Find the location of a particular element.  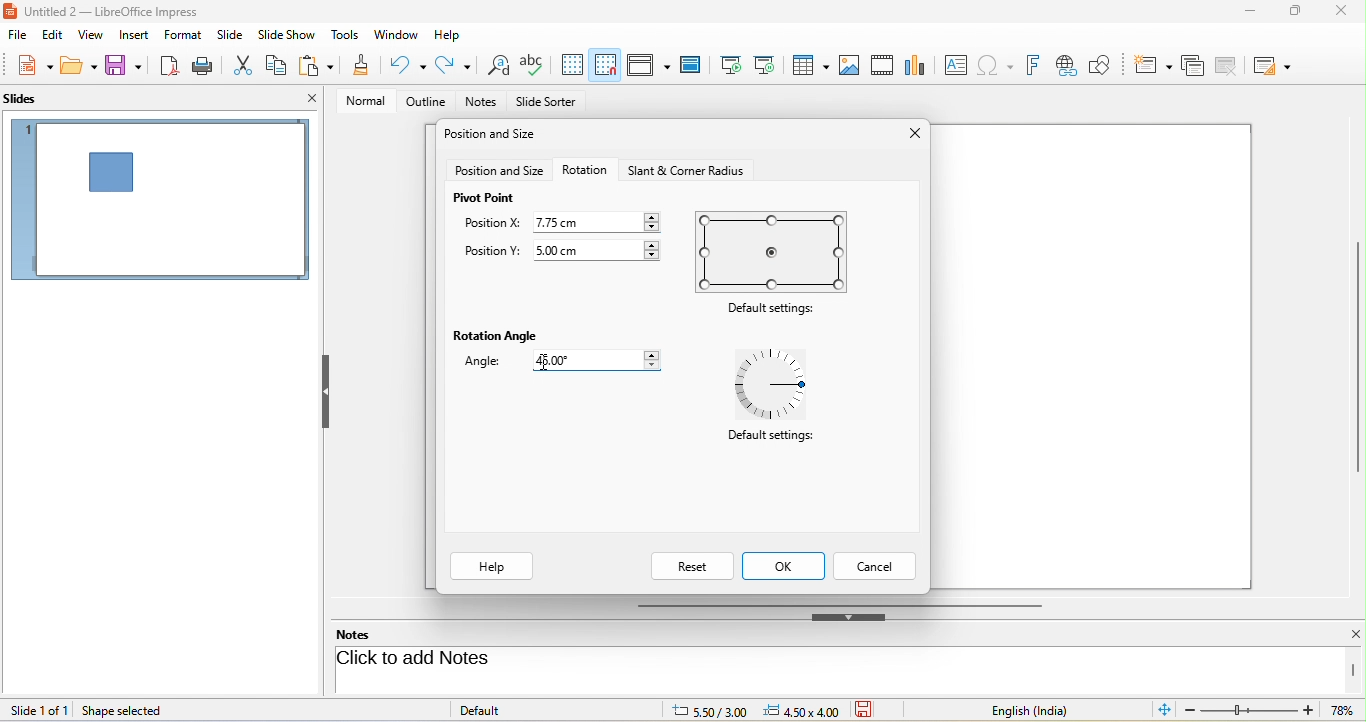

45.00 degree angle is located at coordinates (590, 360).